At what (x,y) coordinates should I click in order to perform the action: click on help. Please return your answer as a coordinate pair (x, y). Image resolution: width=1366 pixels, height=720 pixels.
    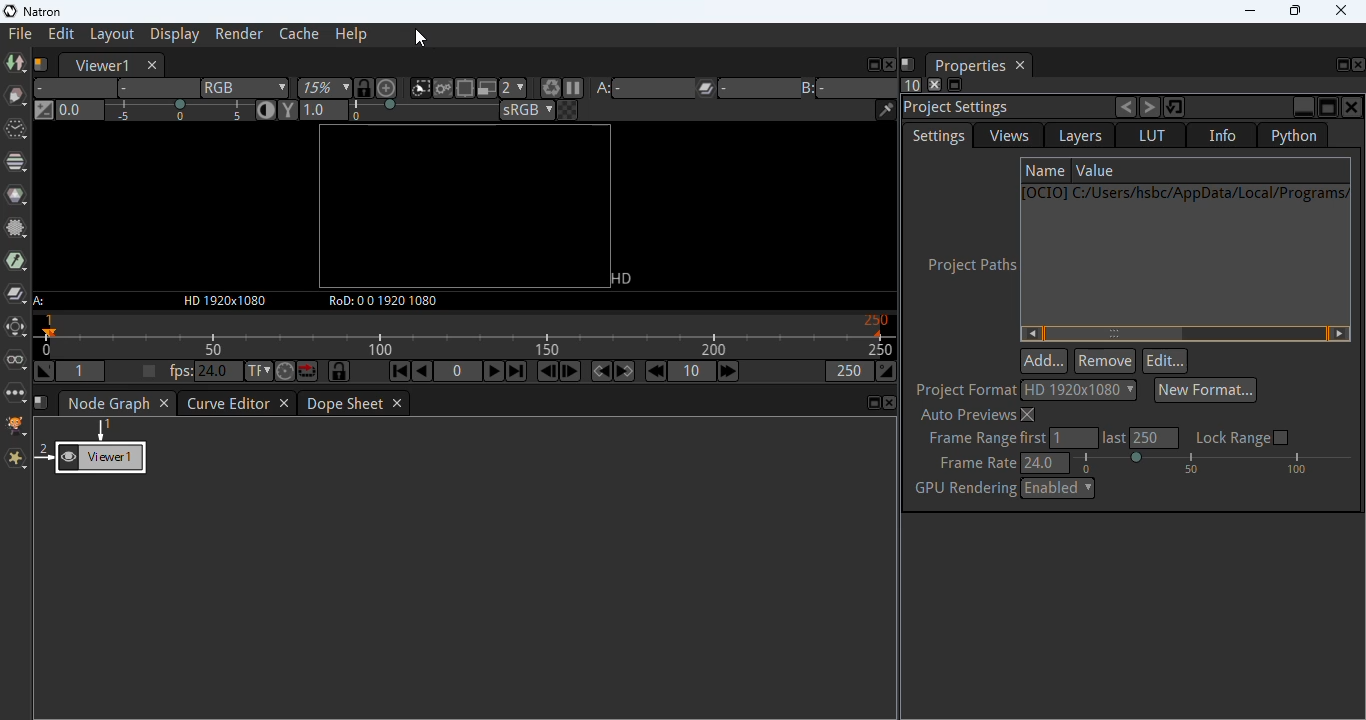
    Looking at the image, I should click on (352, 35).